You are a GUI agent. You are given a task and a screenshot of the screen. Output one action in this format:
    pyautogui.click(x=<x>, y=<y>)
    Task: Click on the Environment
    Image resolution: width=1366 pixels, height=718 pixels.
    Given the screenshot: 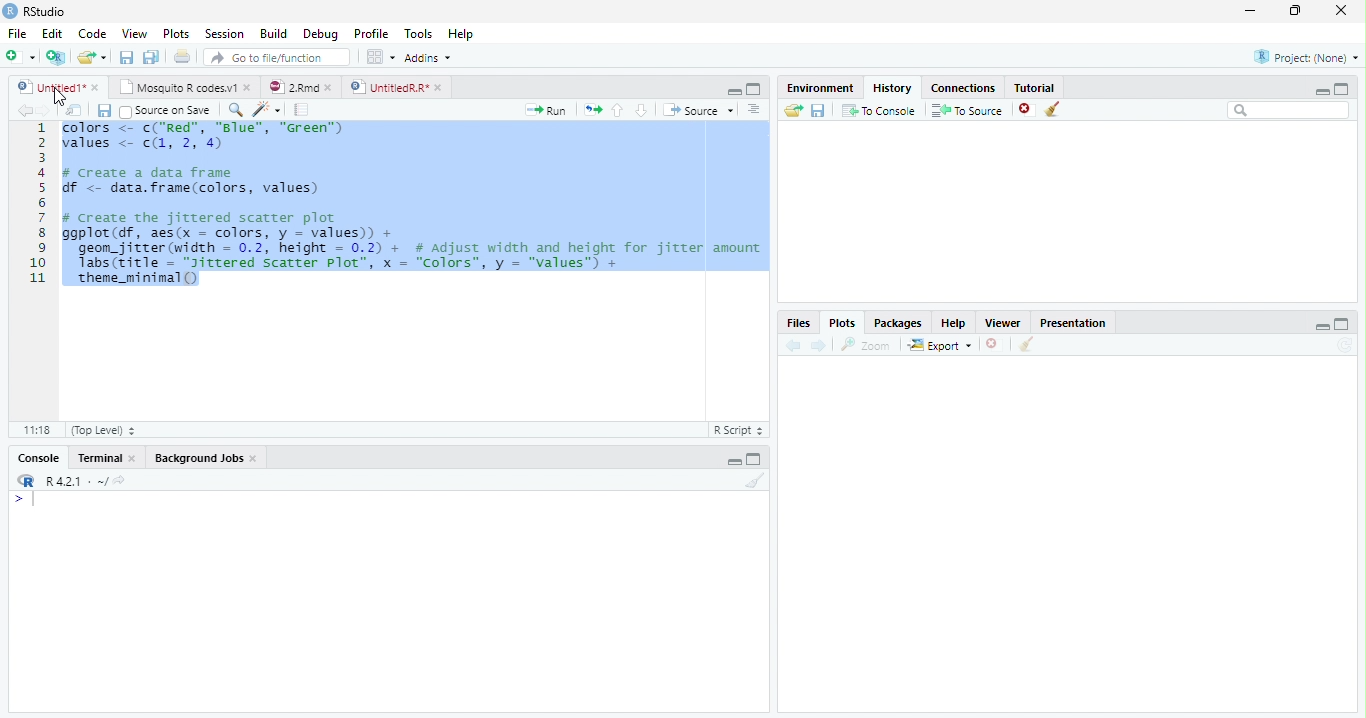 What is the action you would take?
    pyautogui.click(x=819, y=87)
    